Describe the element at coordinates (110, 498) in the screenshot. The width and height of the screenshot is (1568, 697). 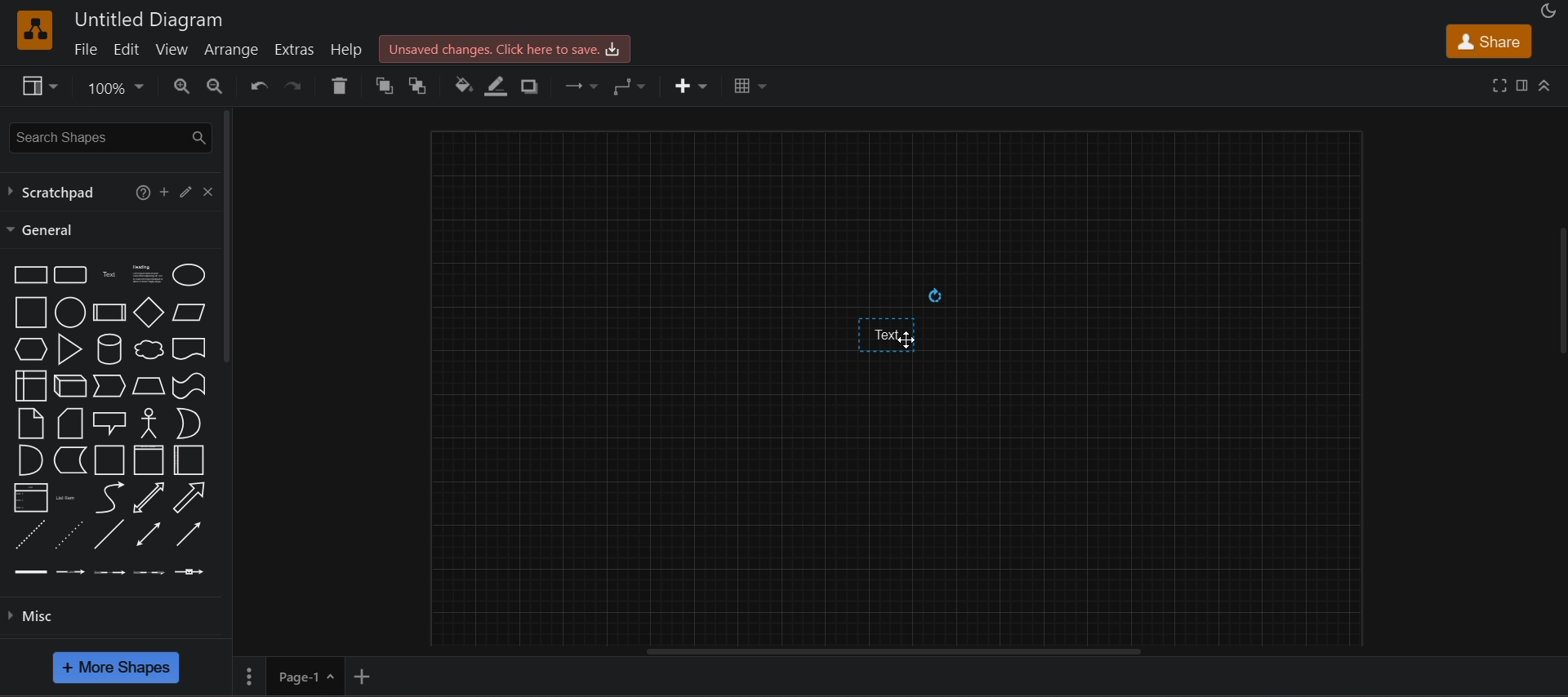
I see `Curve` at that location.